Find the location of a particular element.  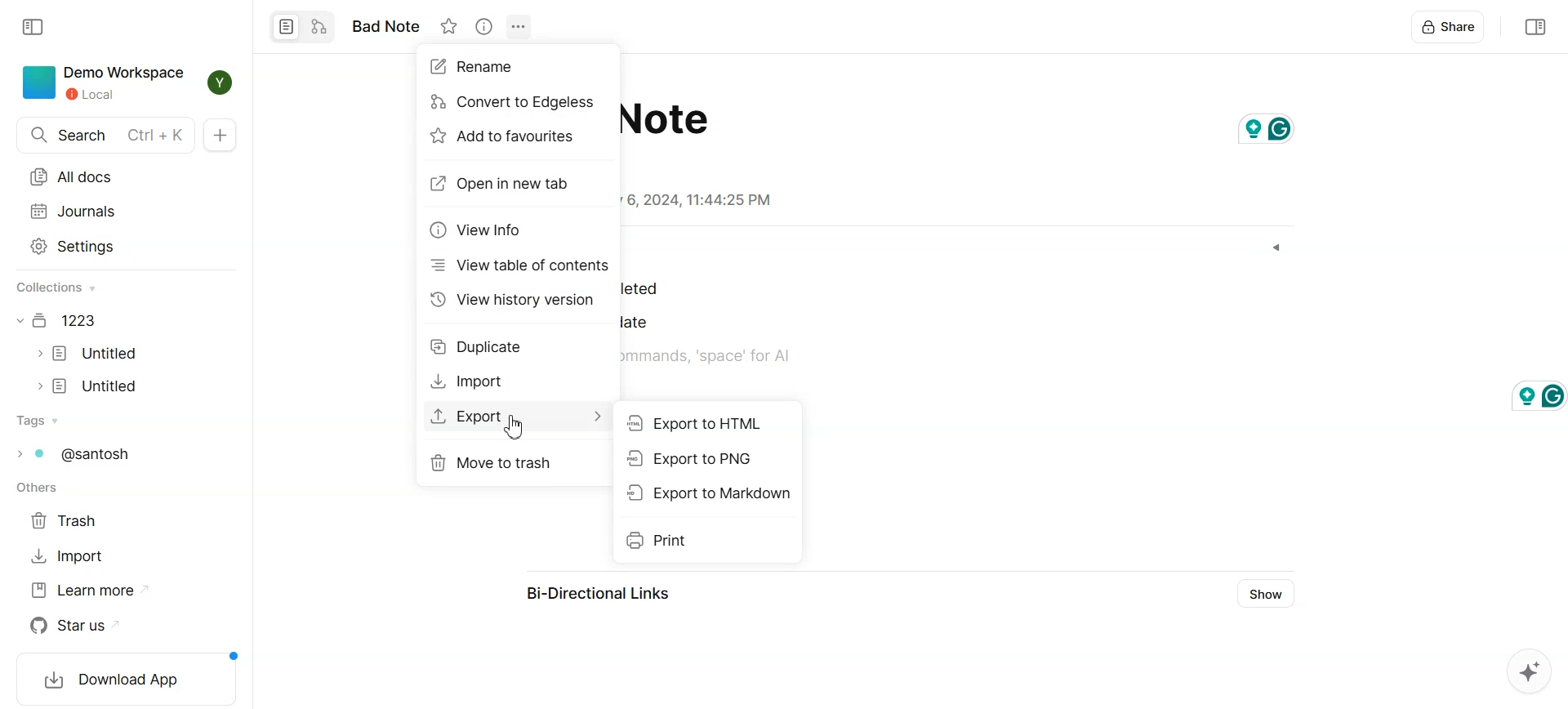

Star us is located at coordinates (75, 626).